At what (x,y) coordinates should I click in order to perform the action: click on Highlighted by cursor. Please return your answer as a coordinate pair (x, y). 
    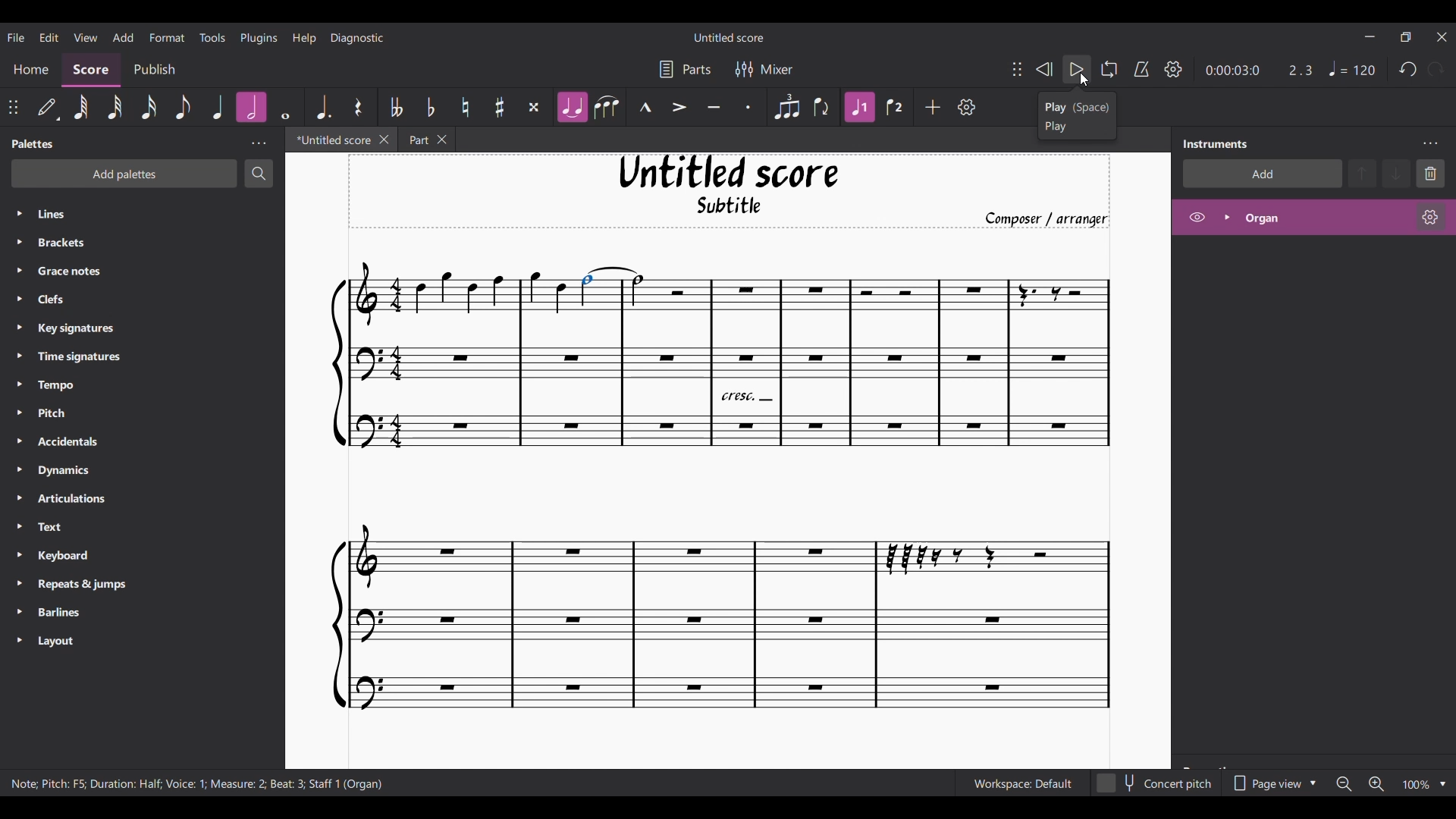
    Looking at the image, I should click on (285, 107).